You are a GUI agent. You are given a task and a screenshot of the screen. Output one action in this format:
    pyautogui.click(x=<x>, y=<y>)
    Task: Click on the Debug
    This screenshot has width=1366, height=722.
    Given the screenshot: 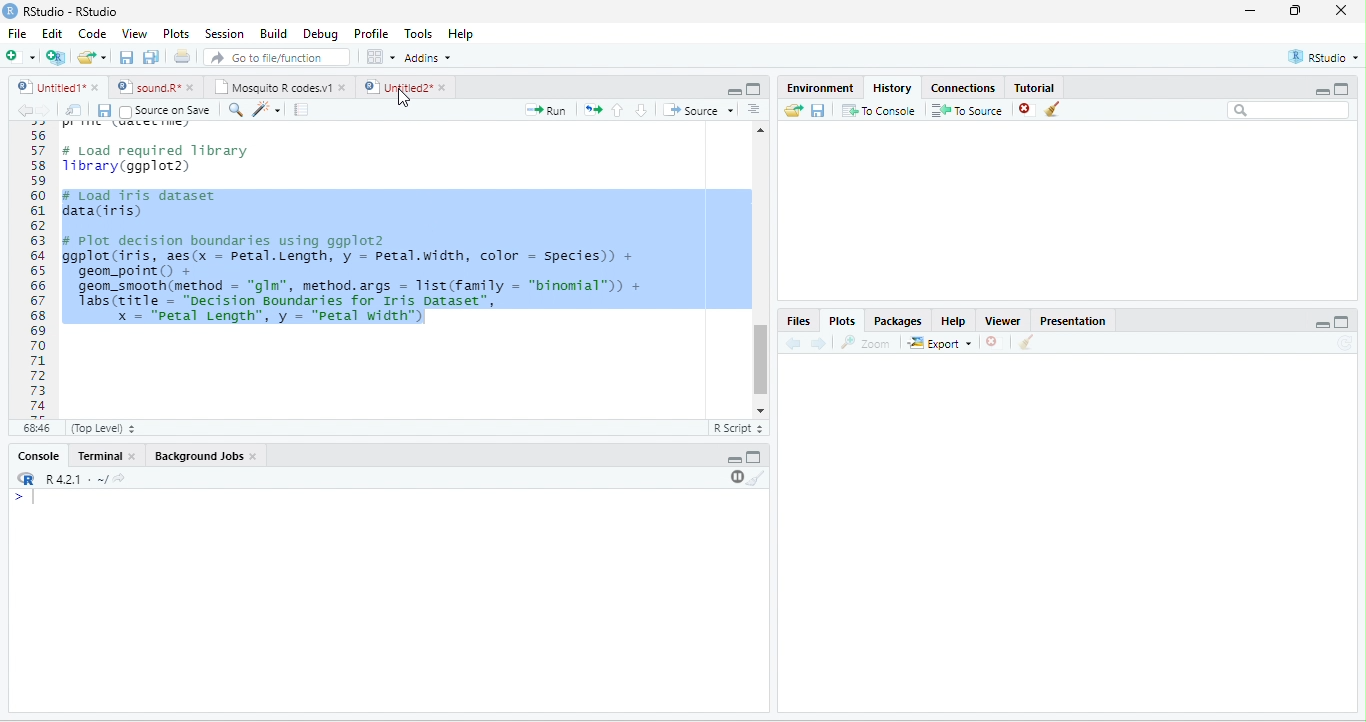 What is the action you would take?
    pyautogui.click(x=324, y=35)
    